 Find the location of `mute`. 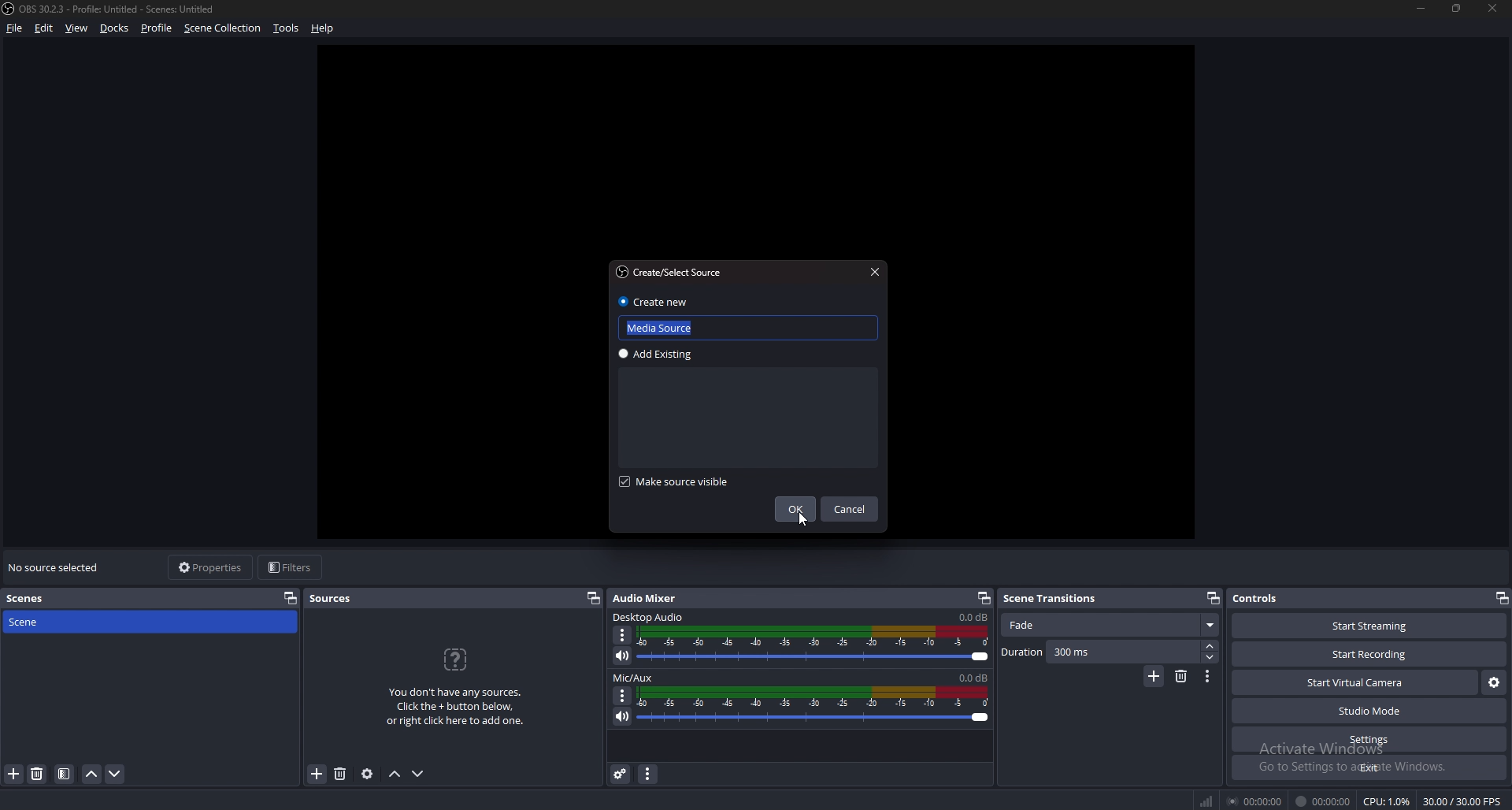

mute is located at coordinates (622, 656).